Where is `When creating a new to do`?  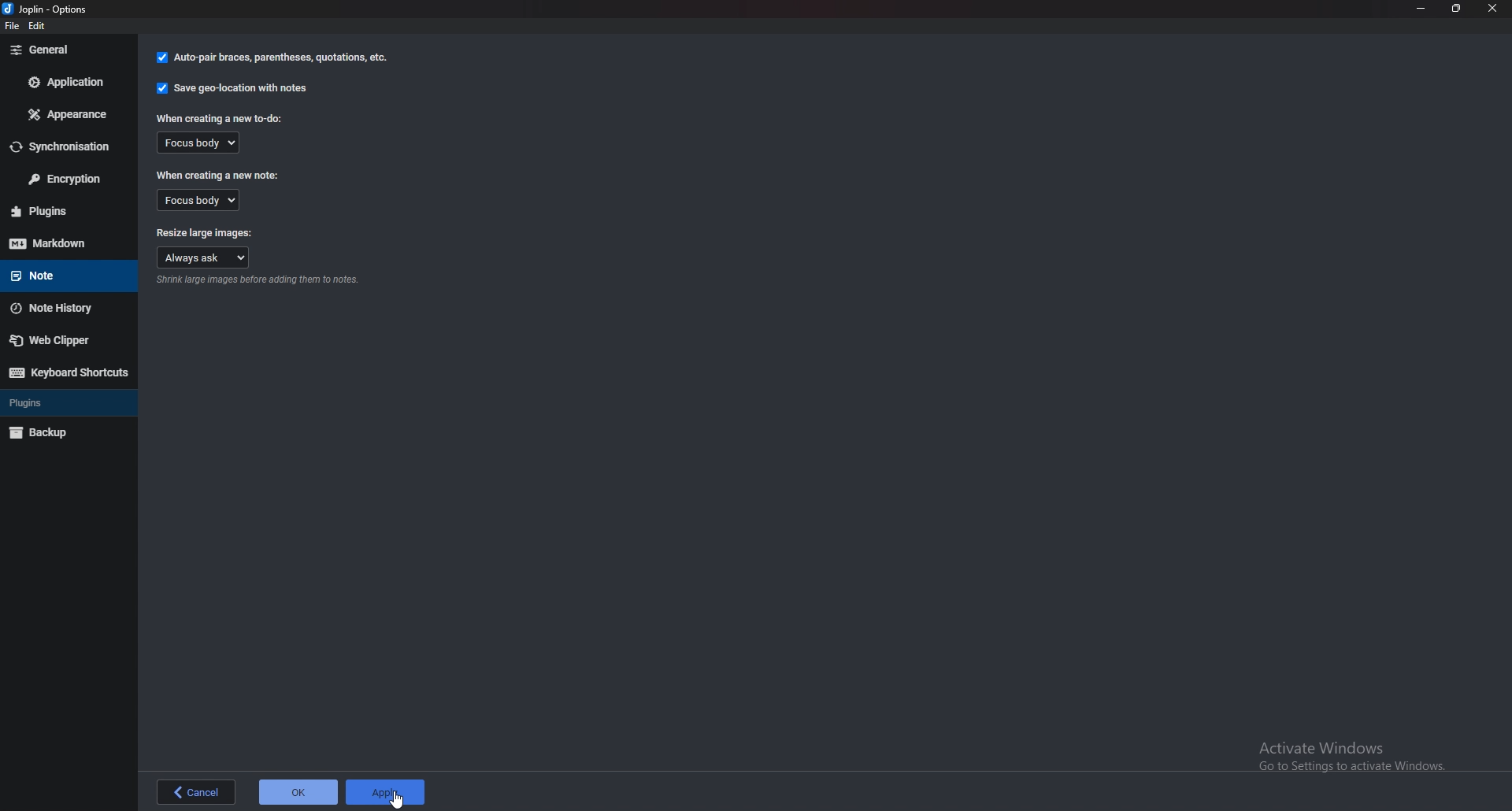 When creating a new to do is located at coordinates (223, 118).